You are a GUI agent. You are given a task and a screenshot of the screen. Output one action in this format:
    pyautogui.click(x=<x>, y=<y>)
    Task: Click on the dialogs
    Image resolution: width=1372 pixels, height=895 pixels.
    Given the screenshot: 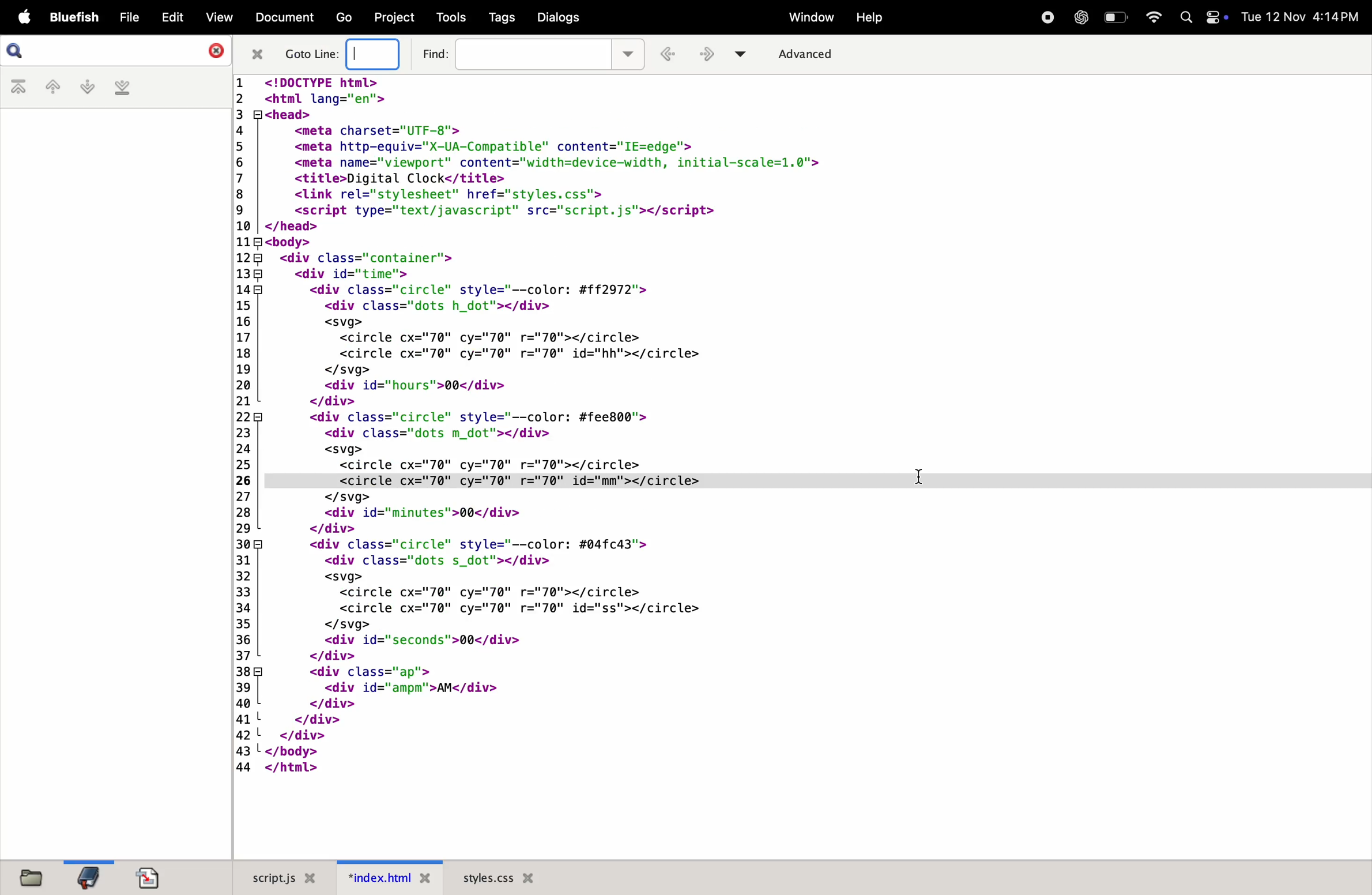 What is the action you would take?
    pyautogui.click(x=559, y=18)
    